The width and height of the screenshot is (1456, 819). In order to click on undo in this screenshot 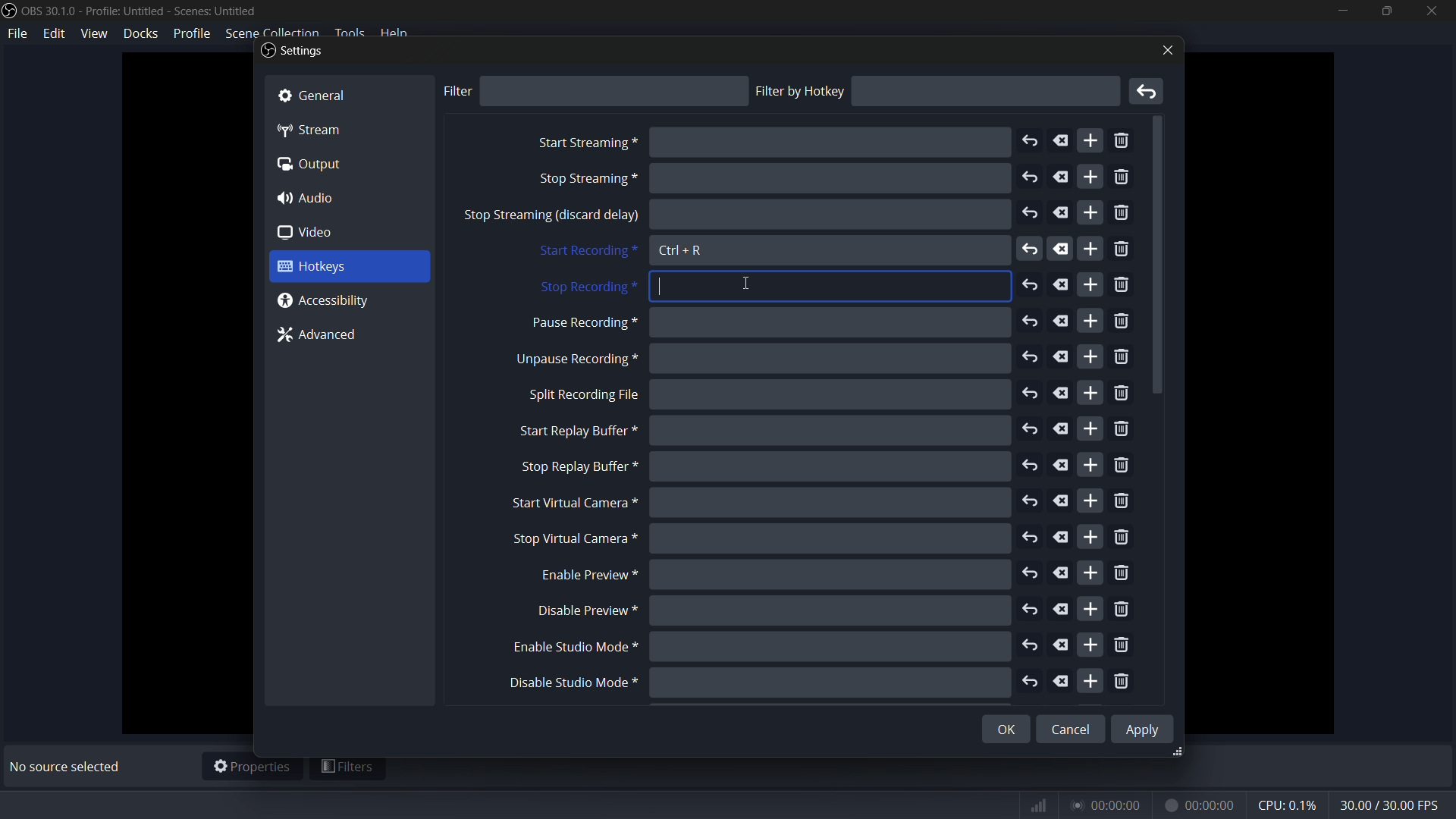, I will do `click(1028, 142)`.